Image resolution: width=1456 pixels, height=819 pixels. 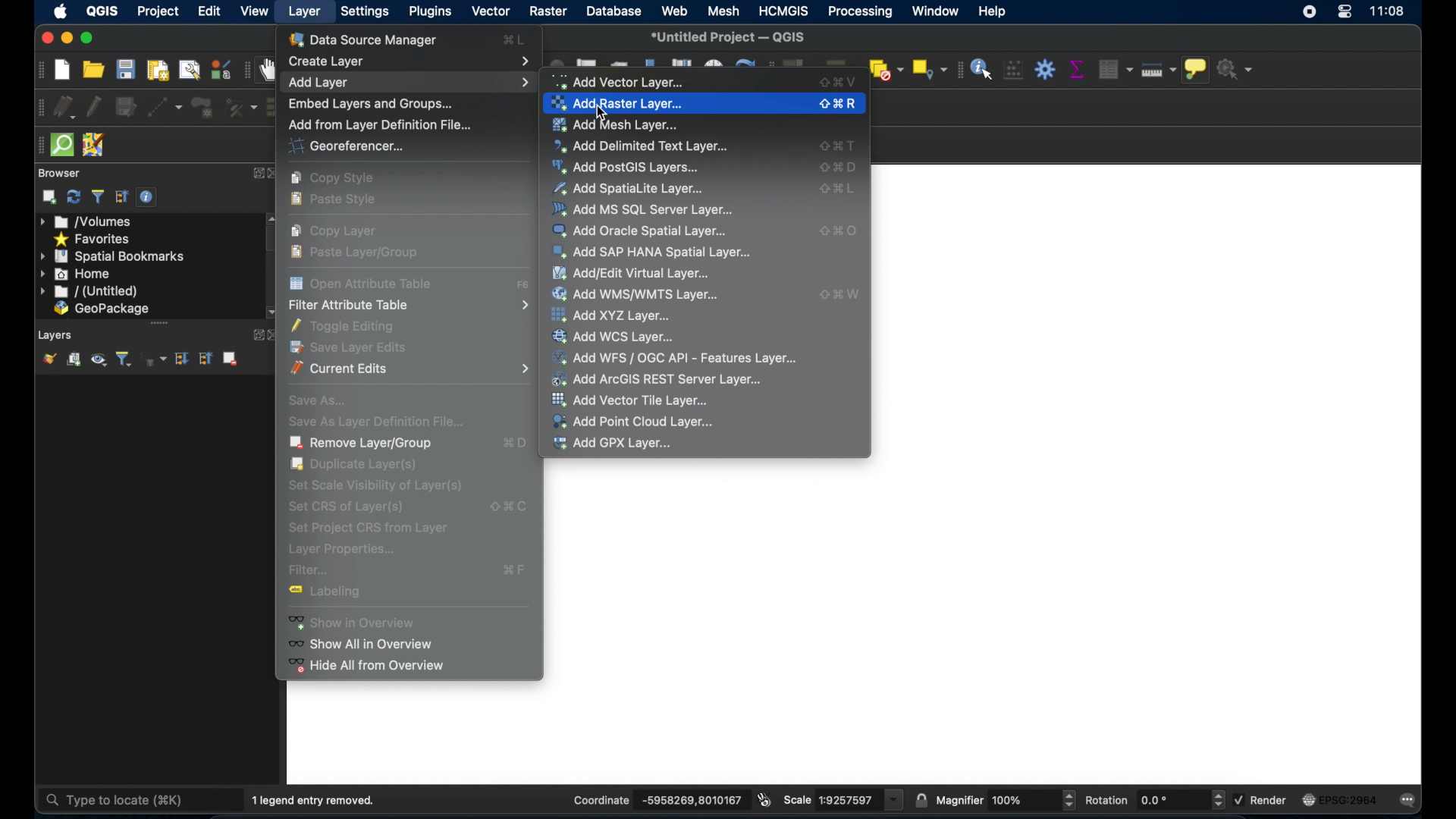 I want to click on create layer menu, so click(x=410, y=59).